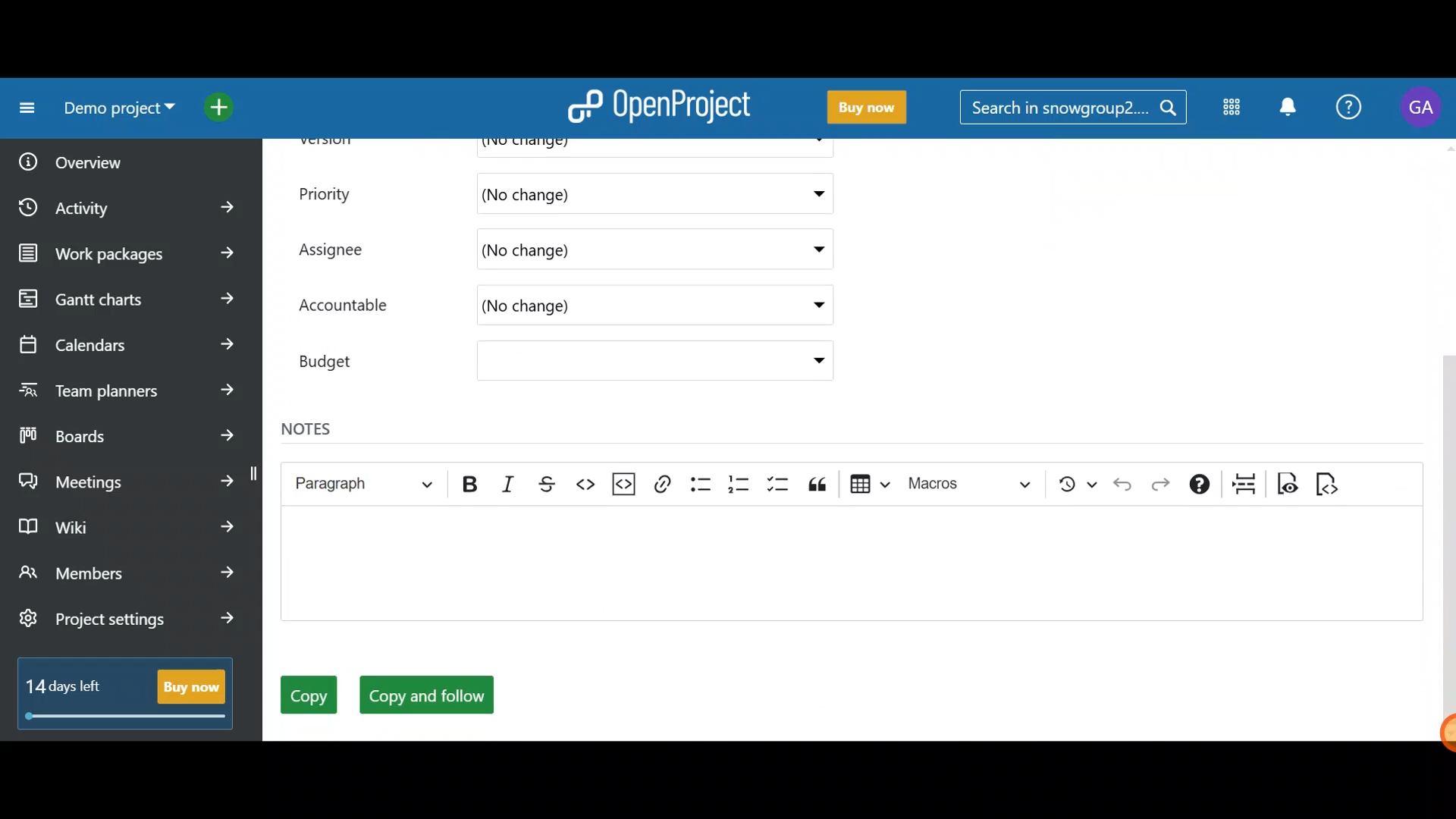  Describe the element at coordinates (615, 306) in the screenshot. I see `(No change)` at that location.